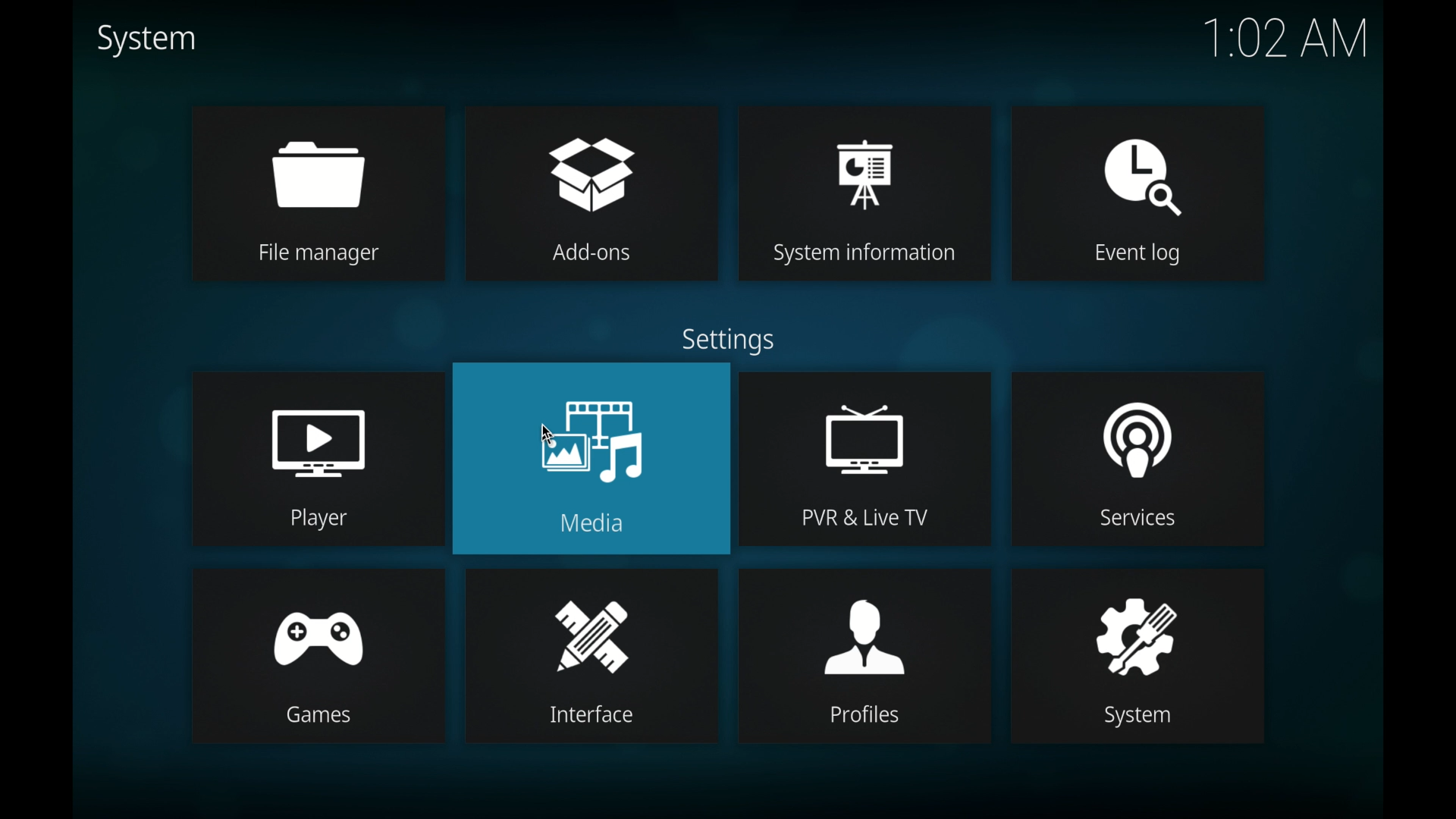 This screenshot has height=819, width=1456. What do you see at coordinates (1127, 256) in the screenshot?
I see `Event log` at bounding box center [1127, 256].